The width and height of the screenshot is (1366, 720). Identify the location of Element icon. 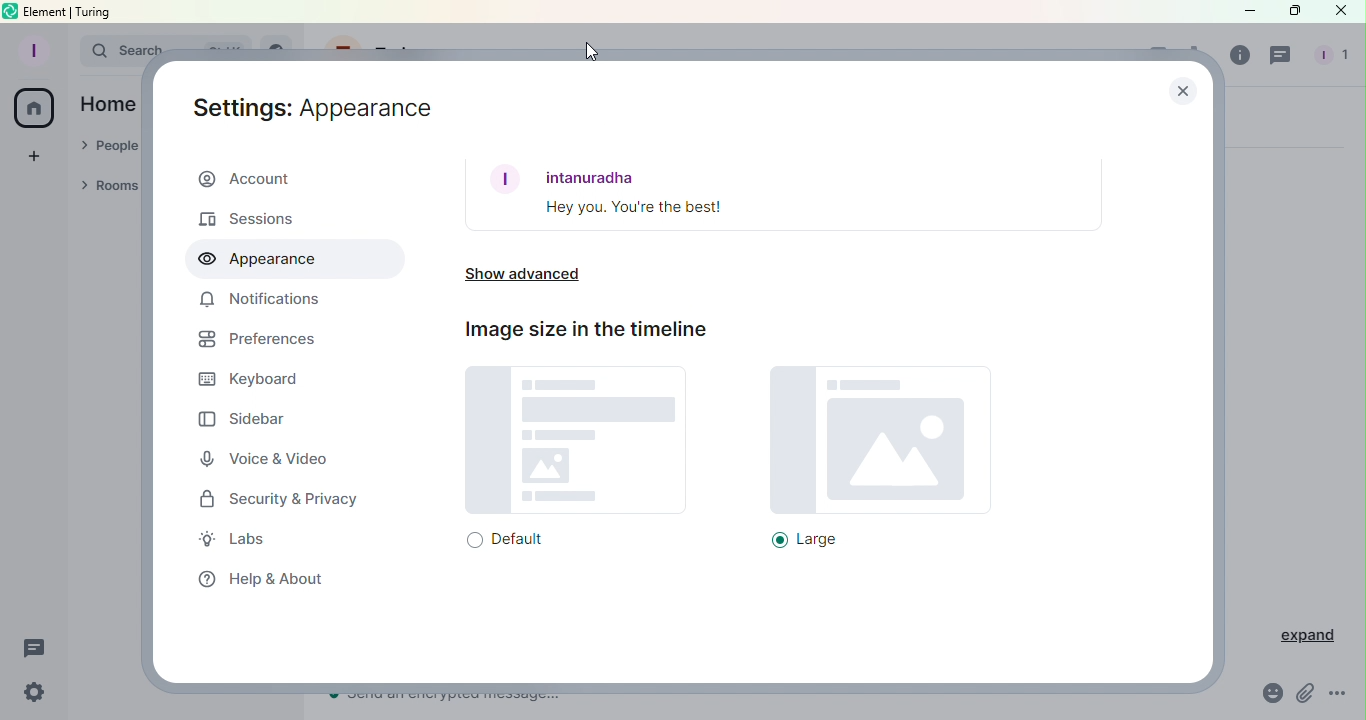
(11, 11).